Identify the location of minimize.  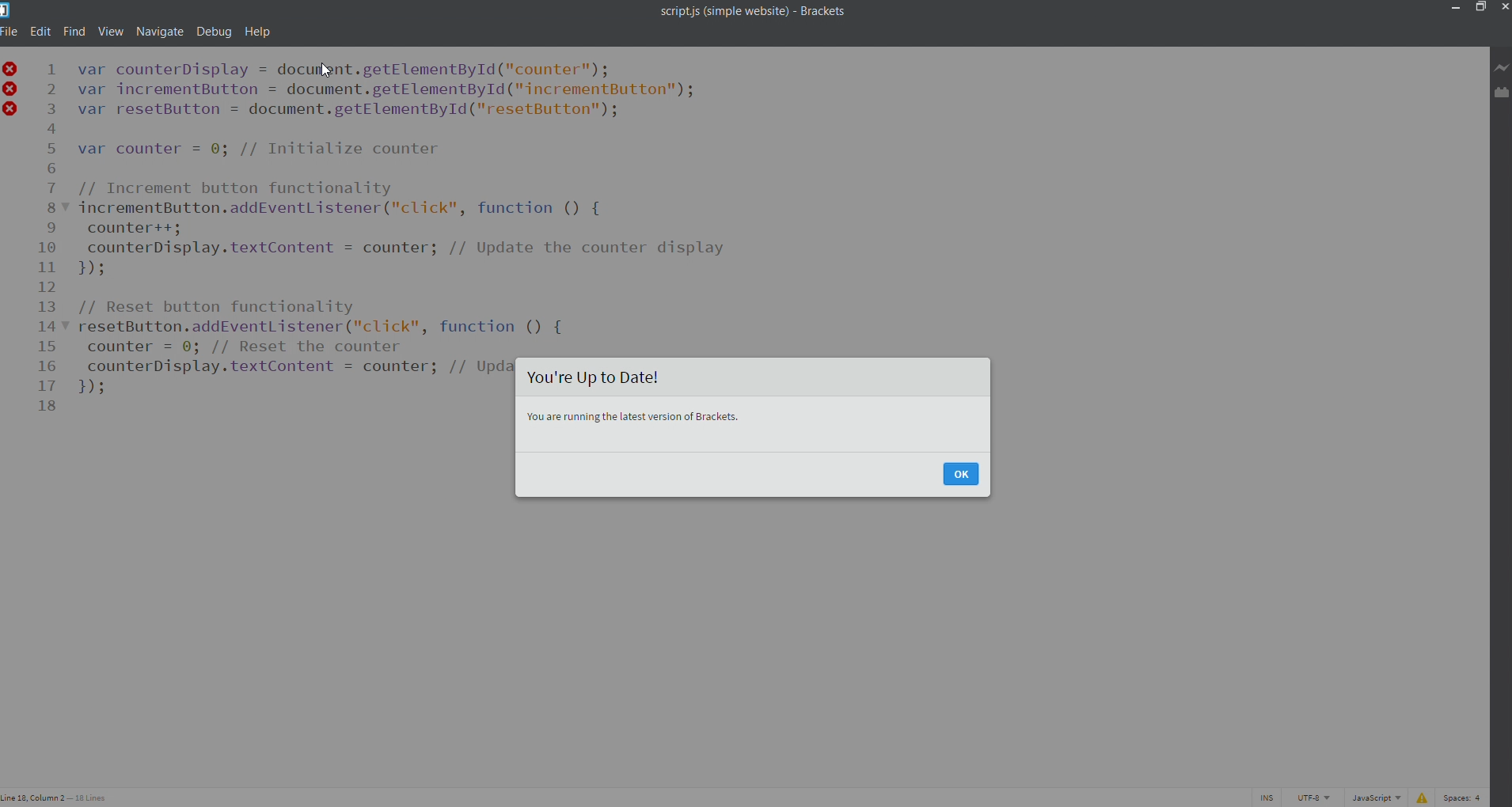
(1453, 7).